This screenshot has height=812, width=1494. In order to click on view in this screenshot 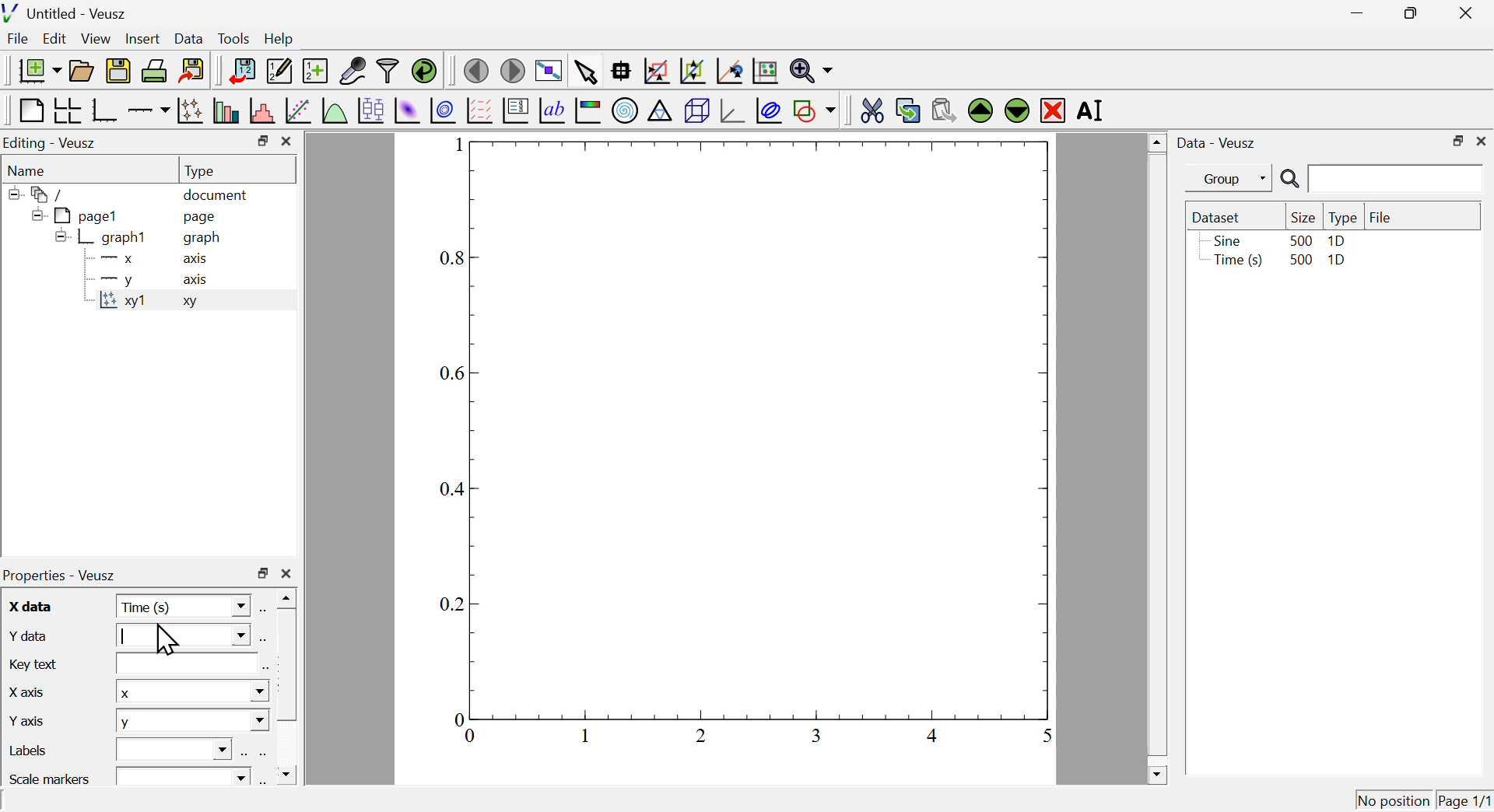, I will do `click(97, 38)`.